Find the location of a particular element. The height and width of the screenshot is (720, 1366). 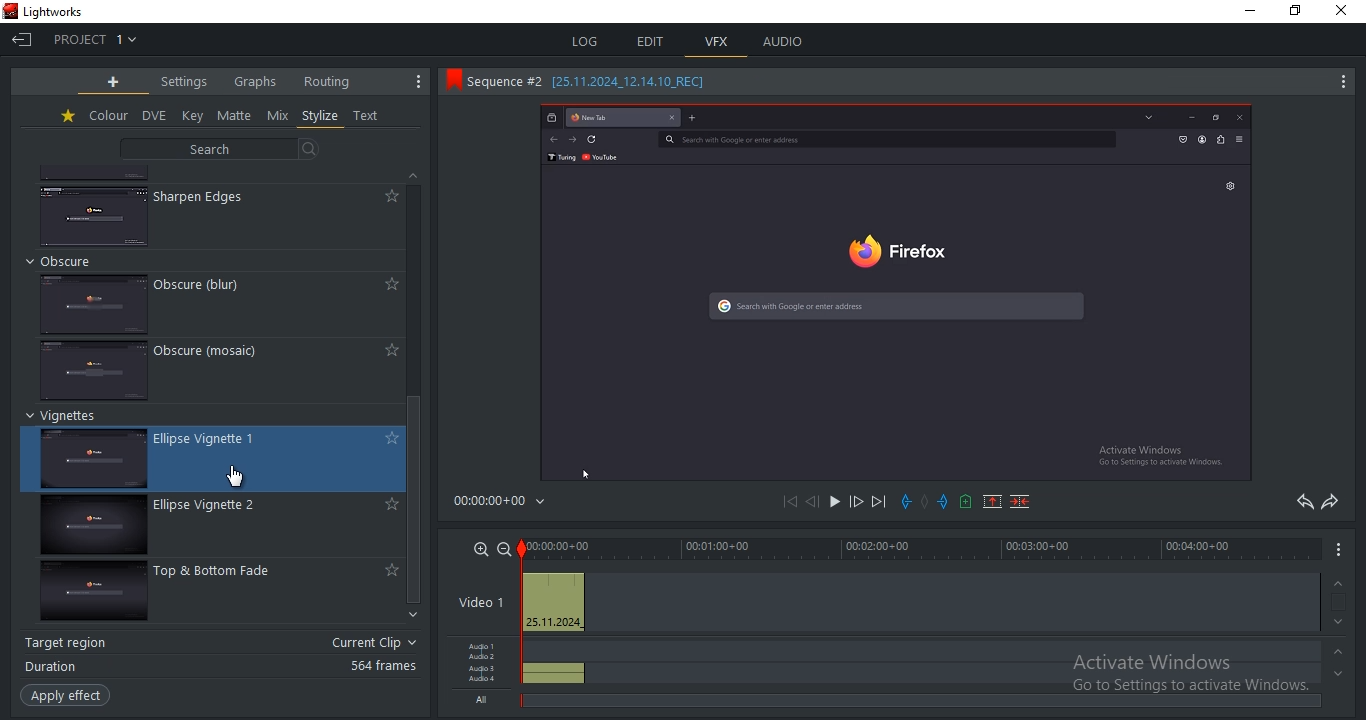

Thumbnail is located at coordinates (93, 302).